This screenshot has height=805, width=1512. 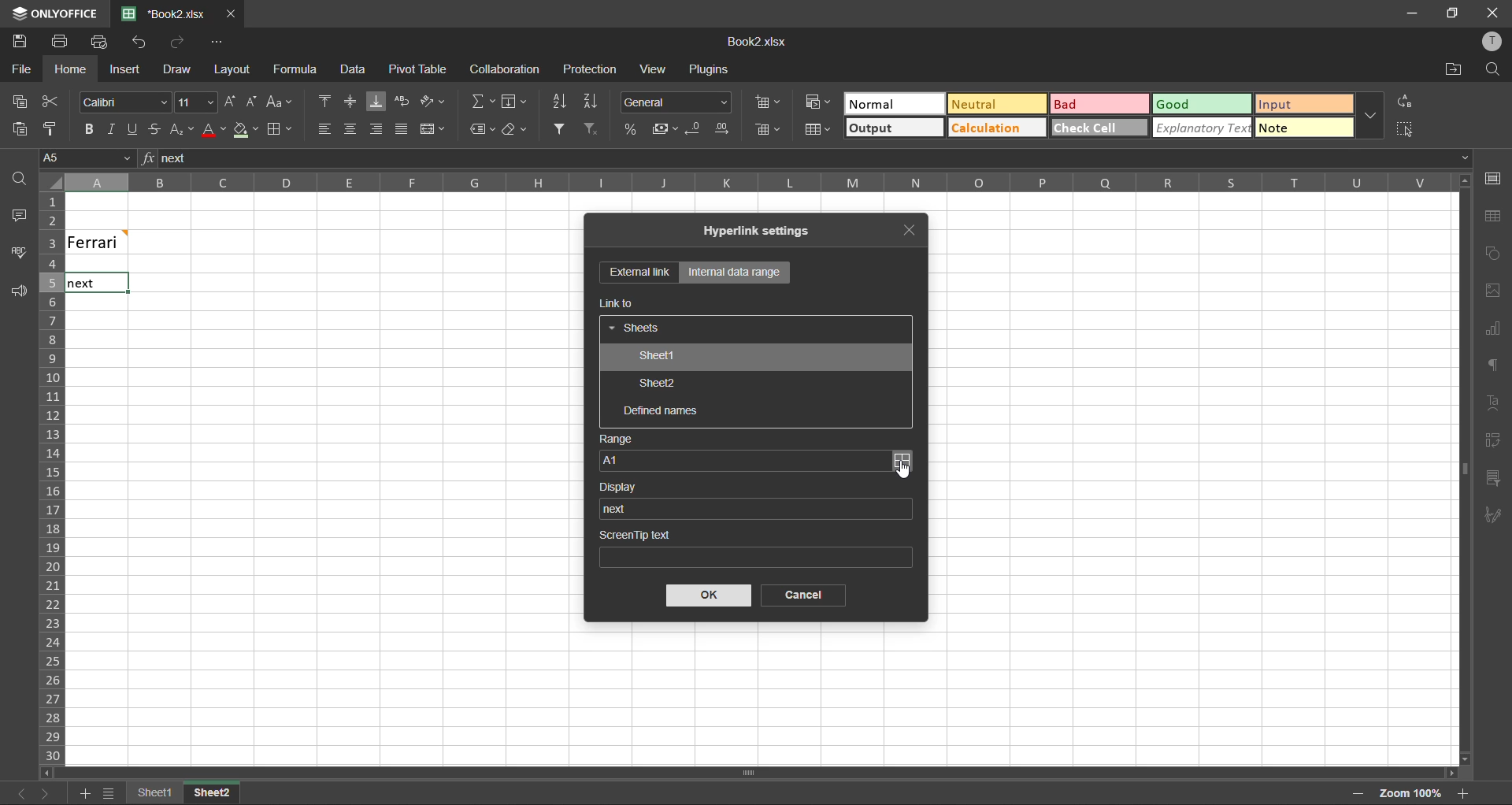 I want to click on paste, so click(x=15, y=128).